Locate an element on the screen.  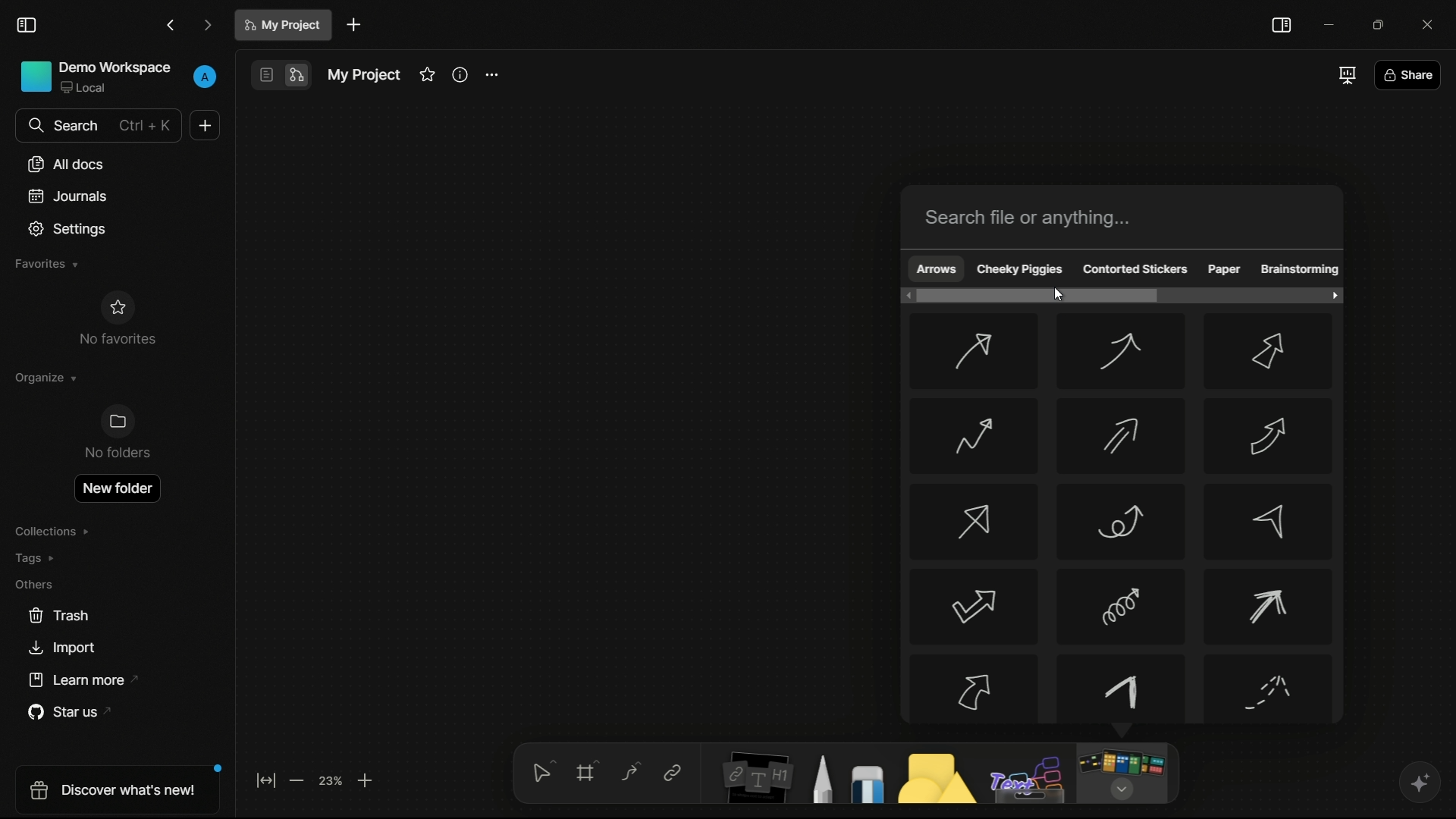
cursor is located at coordinates (1059, 296).